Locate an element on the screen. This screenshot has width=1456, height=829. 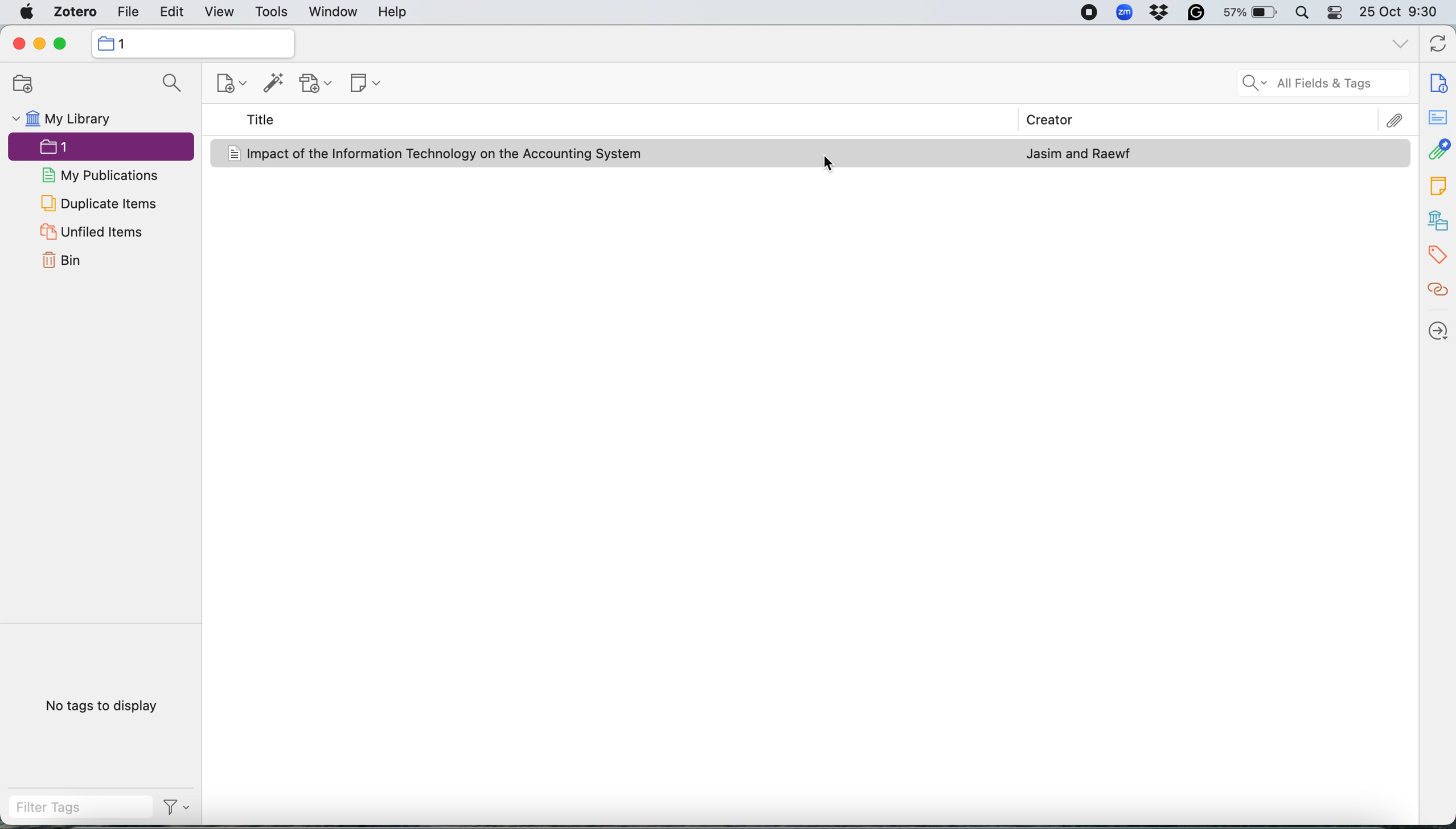
bin is located at coordinates (62, 262).